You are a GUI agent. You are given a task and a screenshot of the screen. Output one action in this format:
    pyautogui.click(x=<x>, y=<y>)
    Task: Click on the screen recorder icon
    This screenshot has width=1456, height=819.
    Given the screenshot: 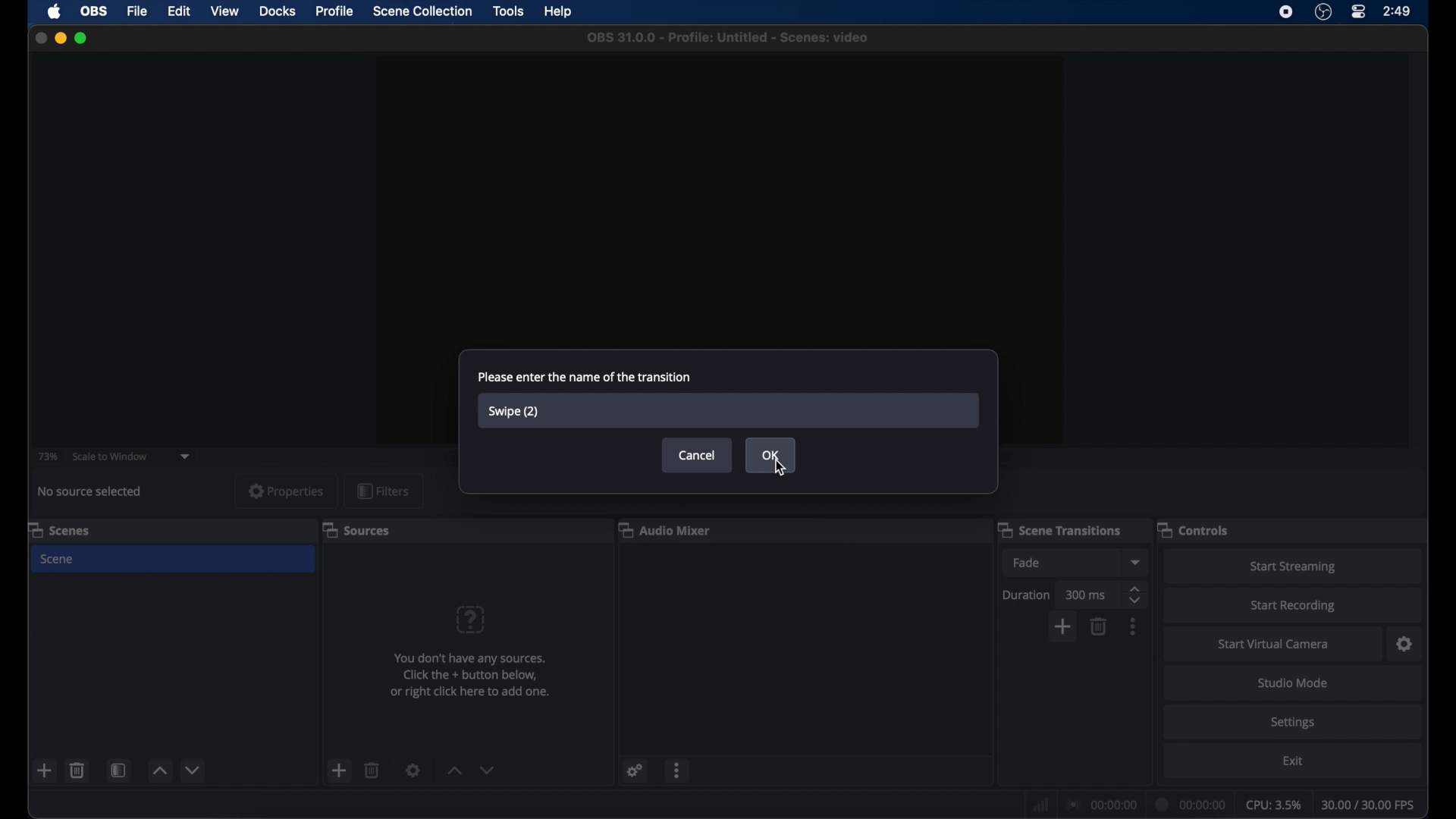 What is the action you would take?
    pyautogui.click(x=1286, y=11)
    